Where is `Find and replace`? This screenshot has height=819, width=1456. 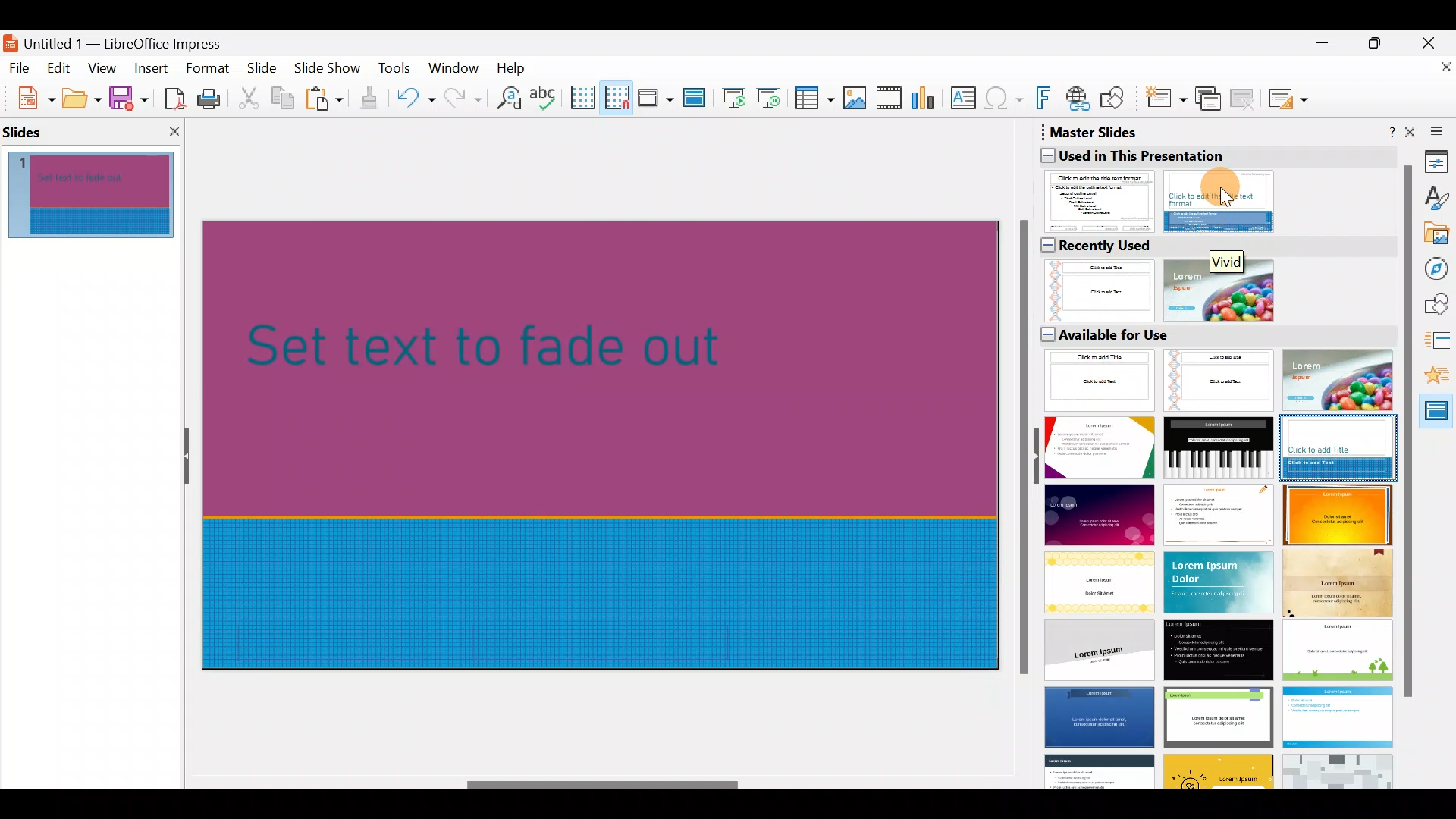
Find and replace is located at coordinates (506, 98).